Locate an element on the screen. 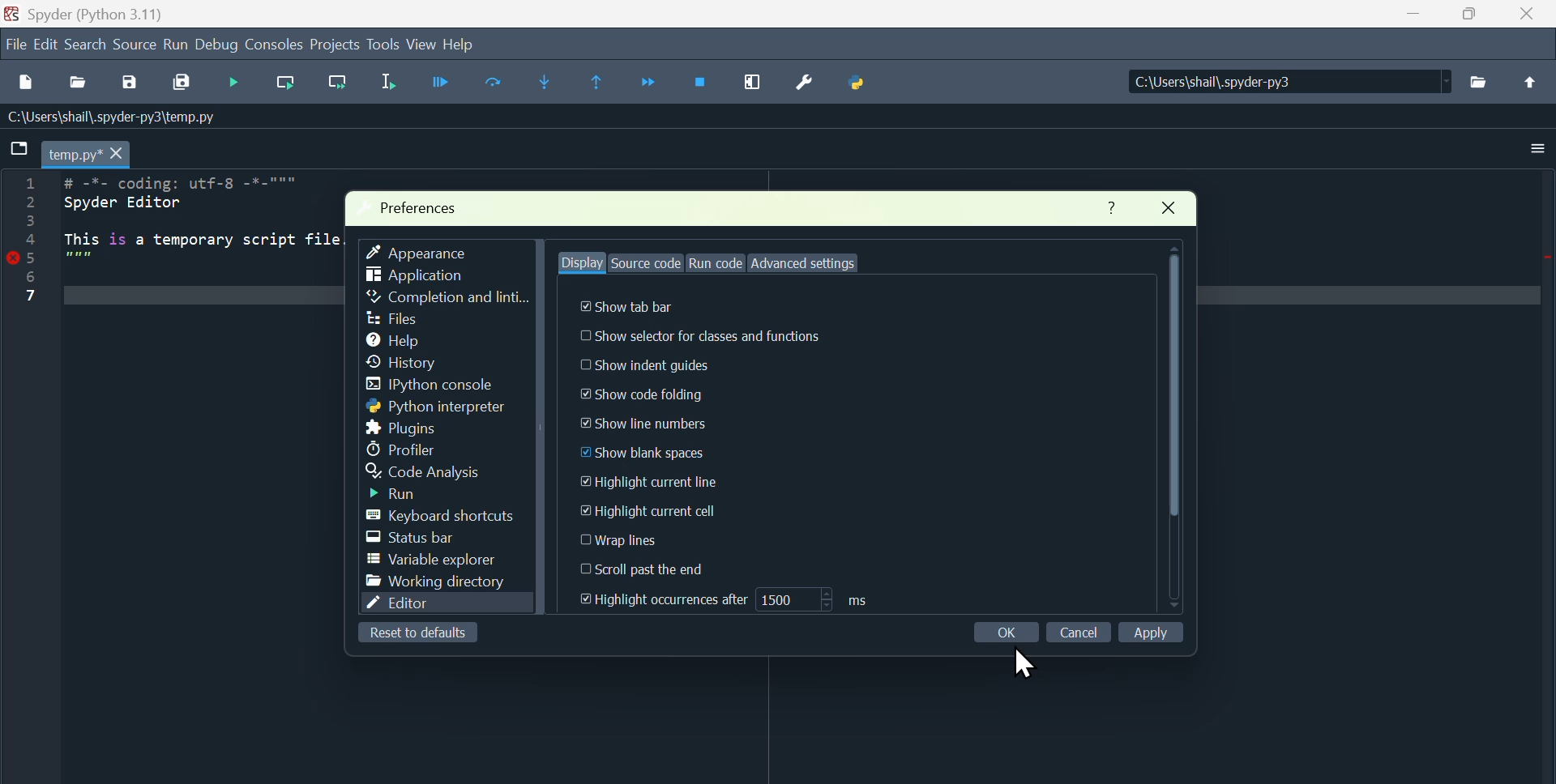 The width and height of the screenshot is (1556, 784). Run selection is located at coordinates (387, 85).